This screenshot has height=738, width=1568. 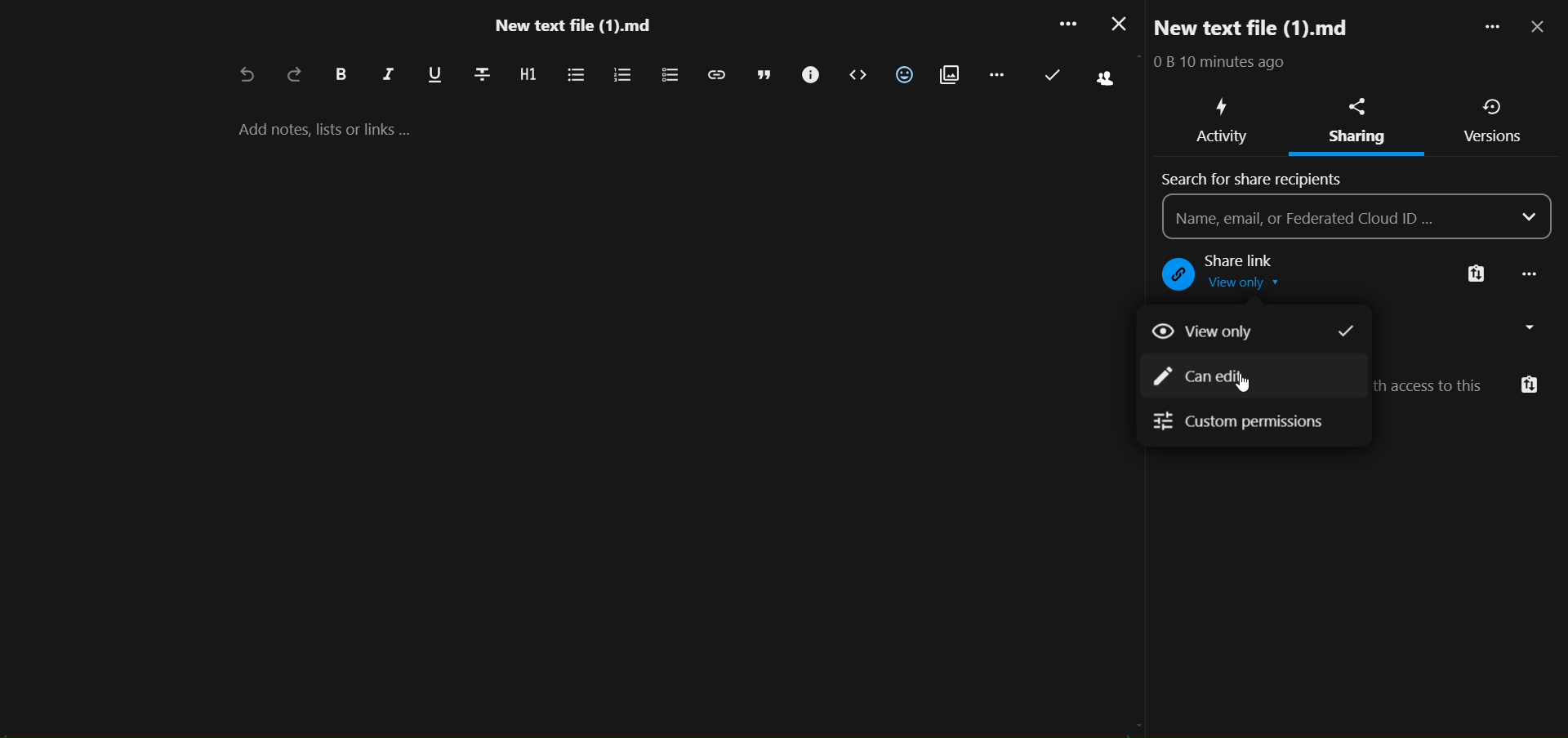 What do you see at coordinates (1255, 260) in the screenshot?
I see `share link` at bounding box center [1255, 260].